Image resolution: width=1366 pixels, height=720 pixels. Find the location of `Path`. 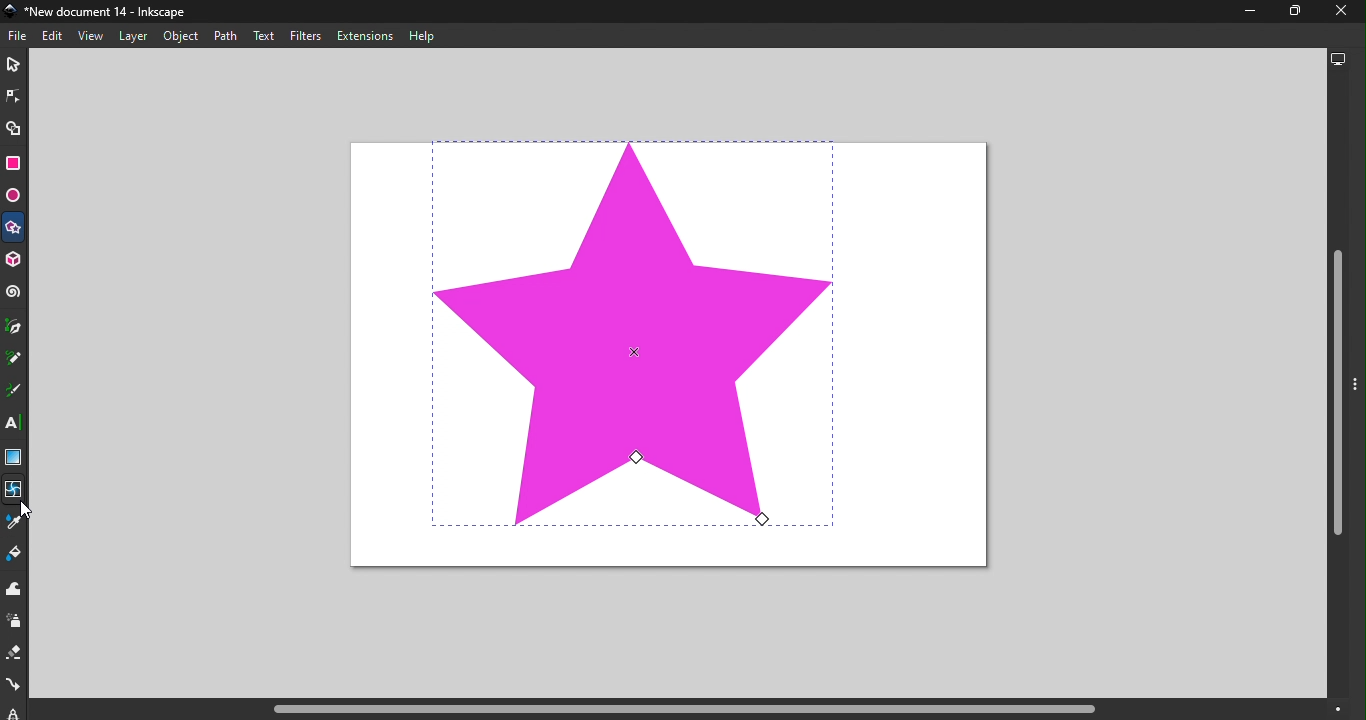

Path is located at coordinates (227, 35).